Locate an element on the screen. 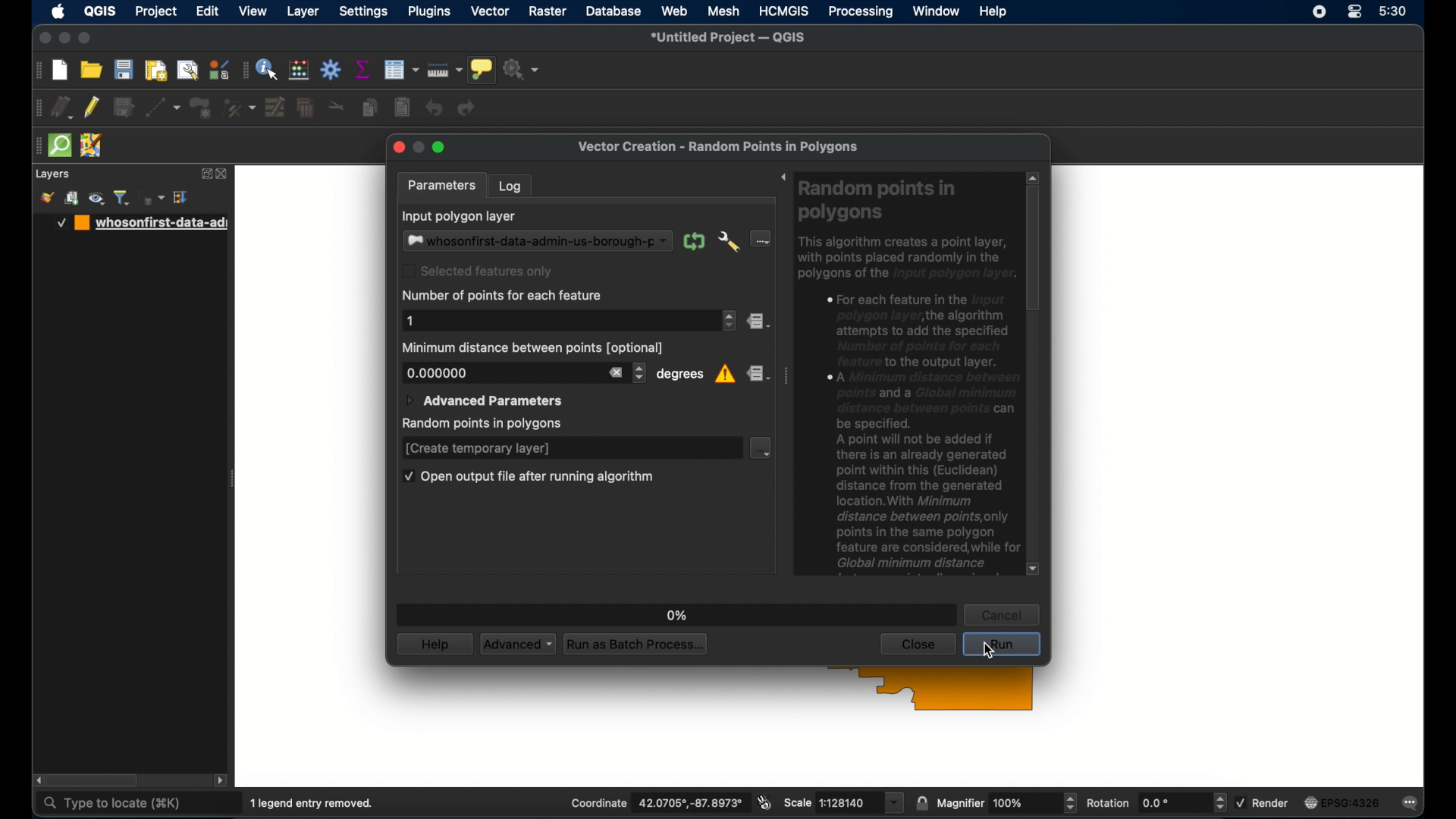 Image resolution: width=1456 pixels, height=819 pixels. identify feature is located at coordinates (268, 70).